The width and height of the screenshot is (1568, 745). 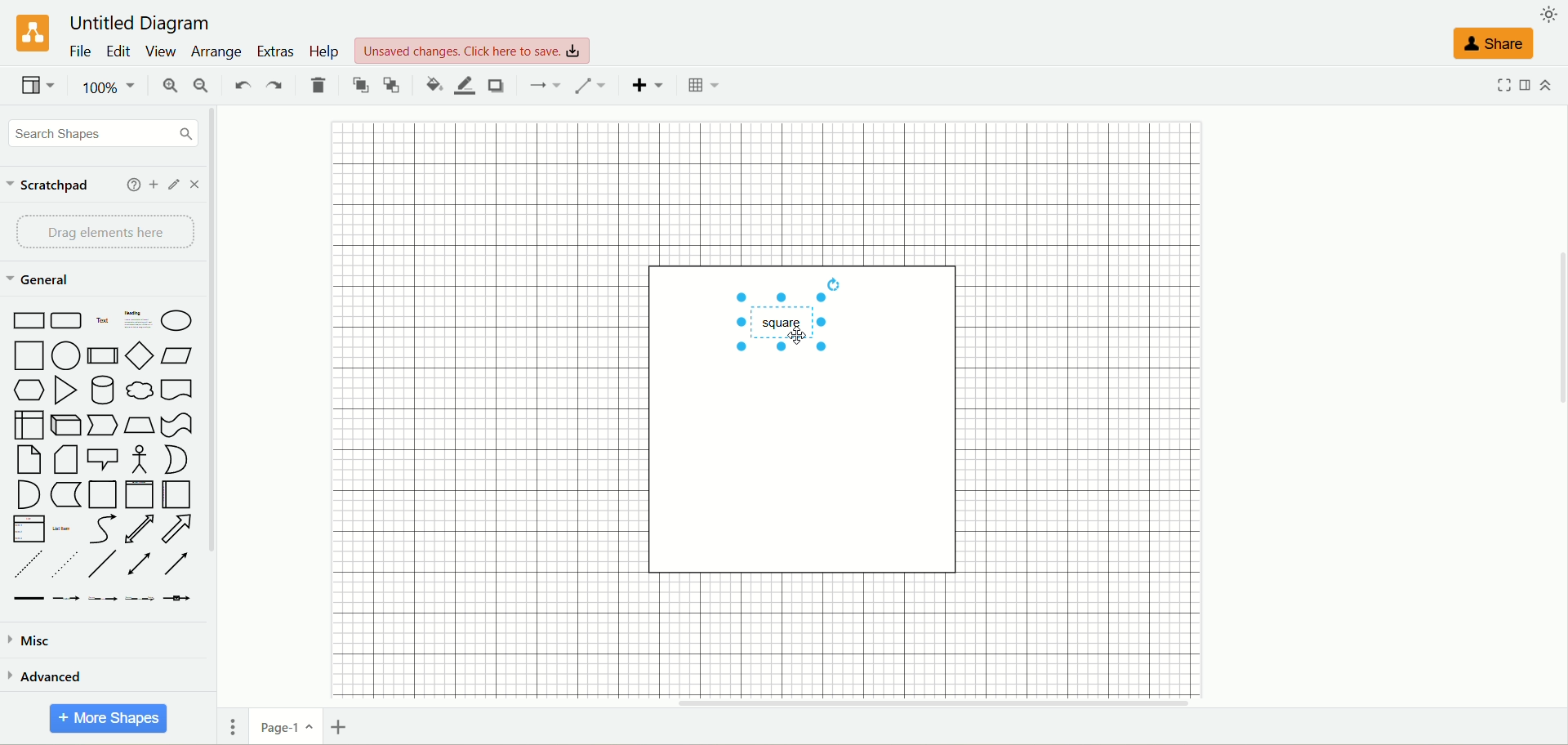 I want to click on insert page, so click(x=341, y=725).